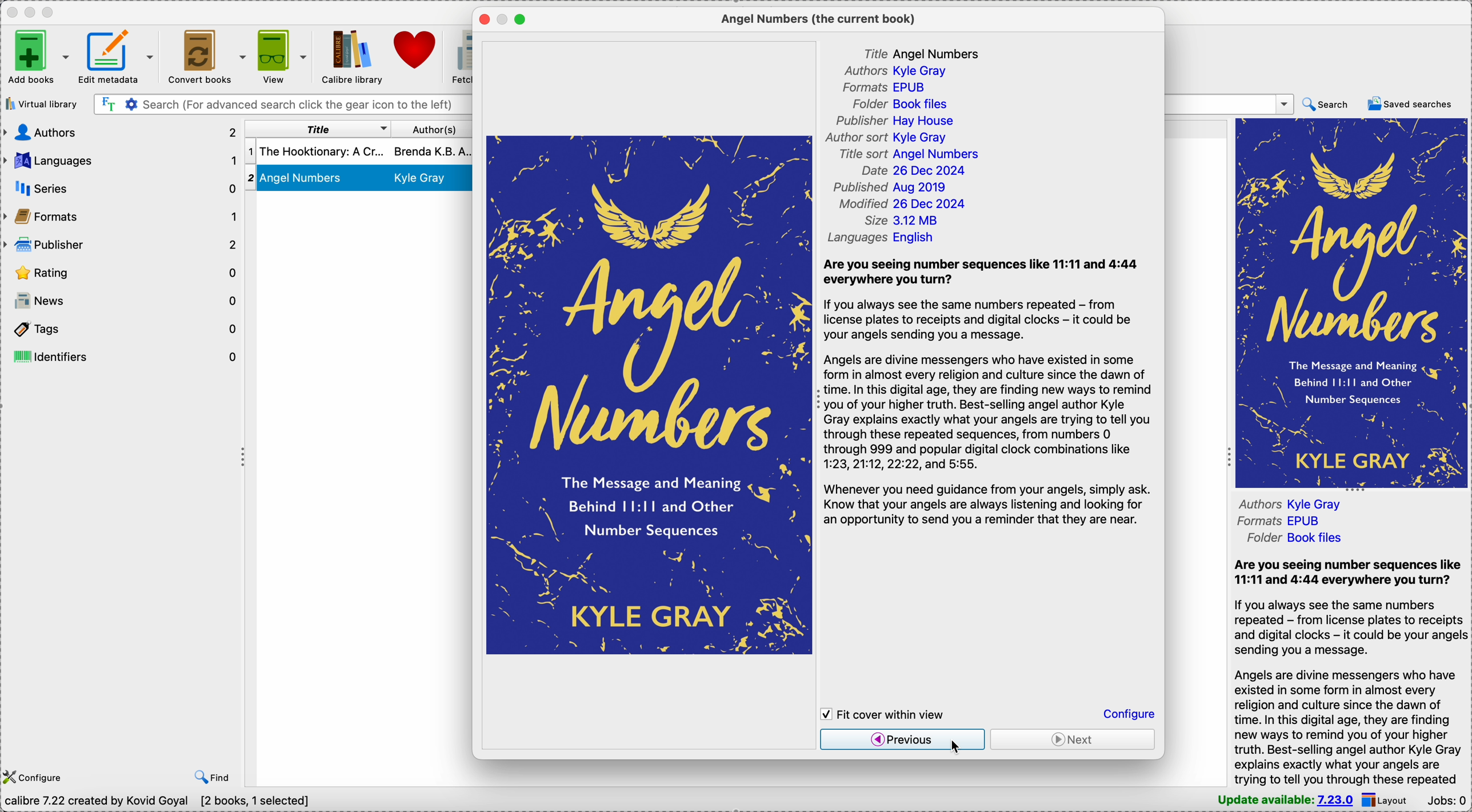 The height and width of the screenshot is (812, 1472). I want to click on tags, so click(122, 326).